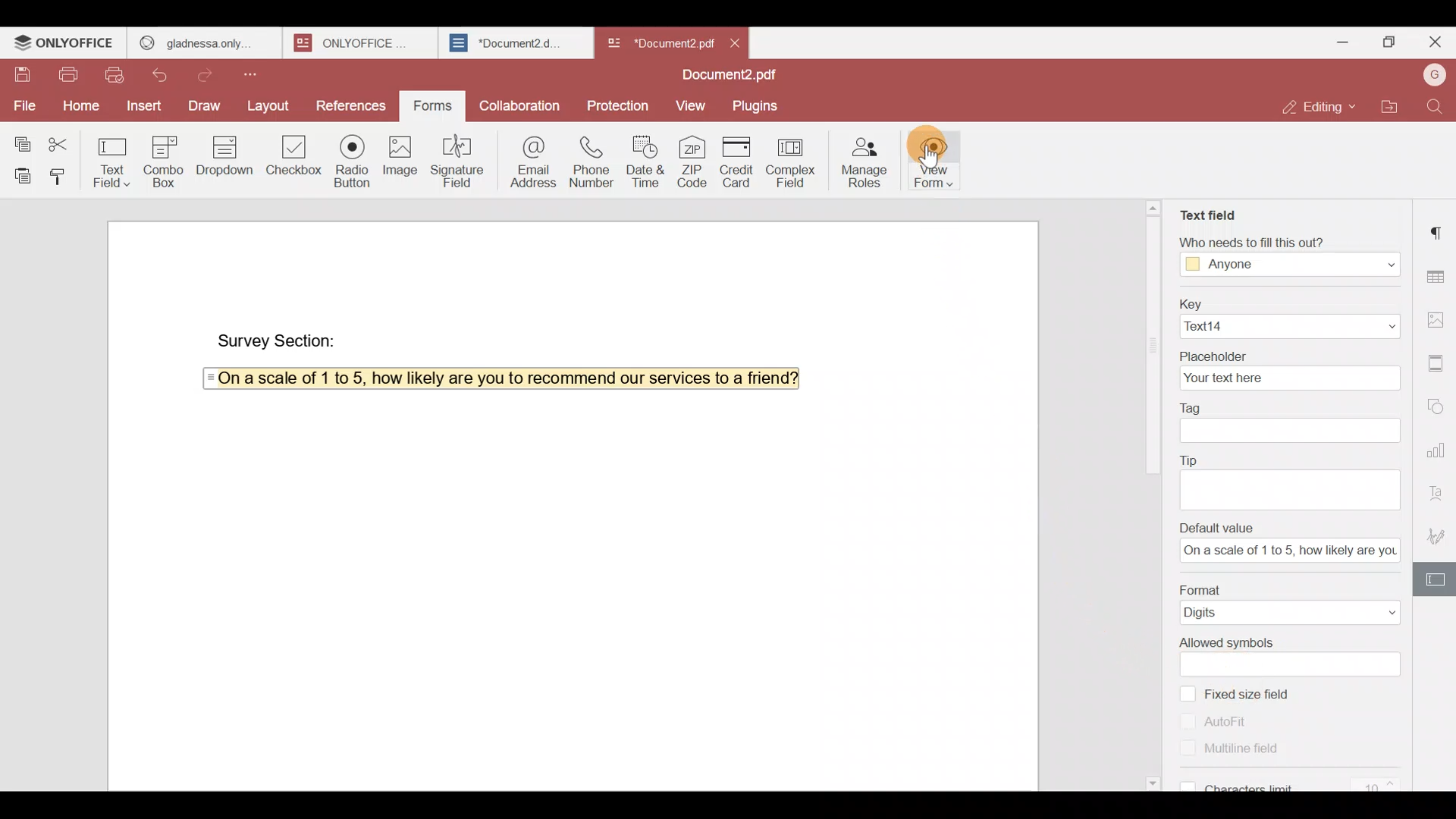  I want to click on Default value, so click(1292, 527).